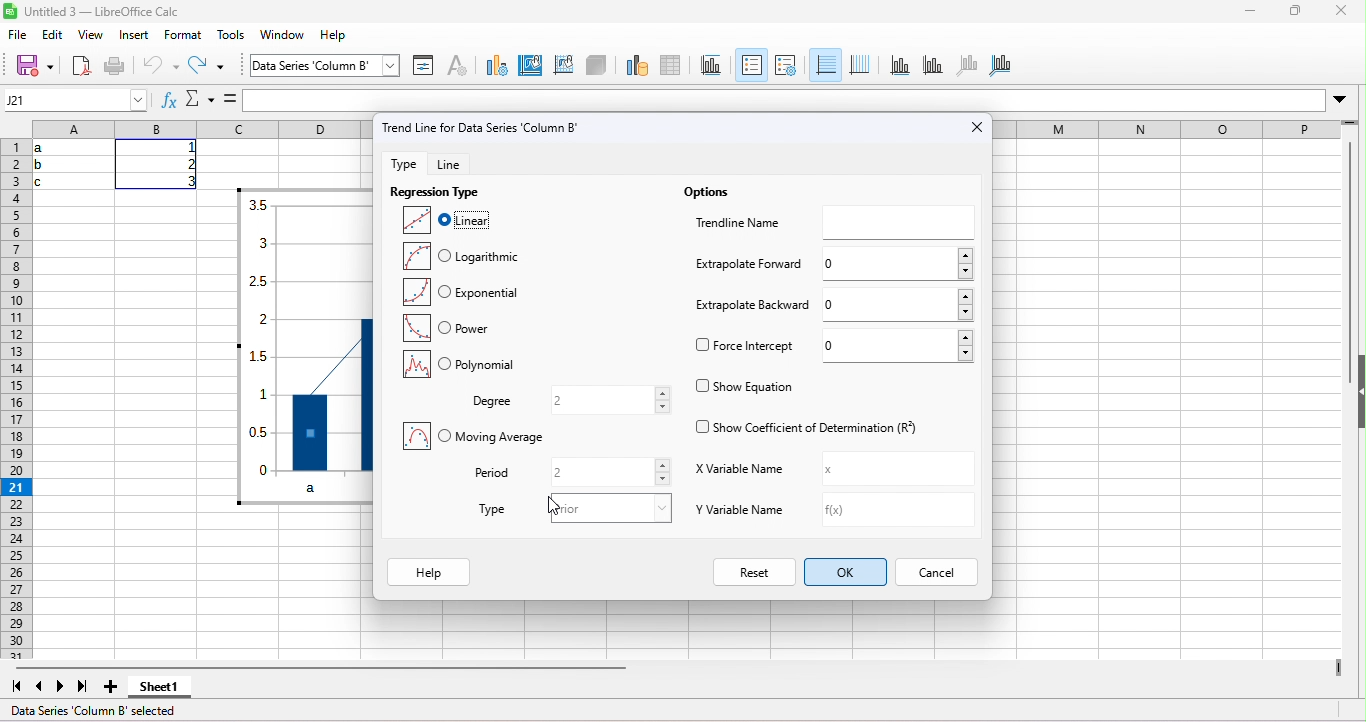 This screenshot has height=722, width=1366. What do you see at coordinates (456, 328) in the screenshot?
I see `power` at bounding box center [456, 328].